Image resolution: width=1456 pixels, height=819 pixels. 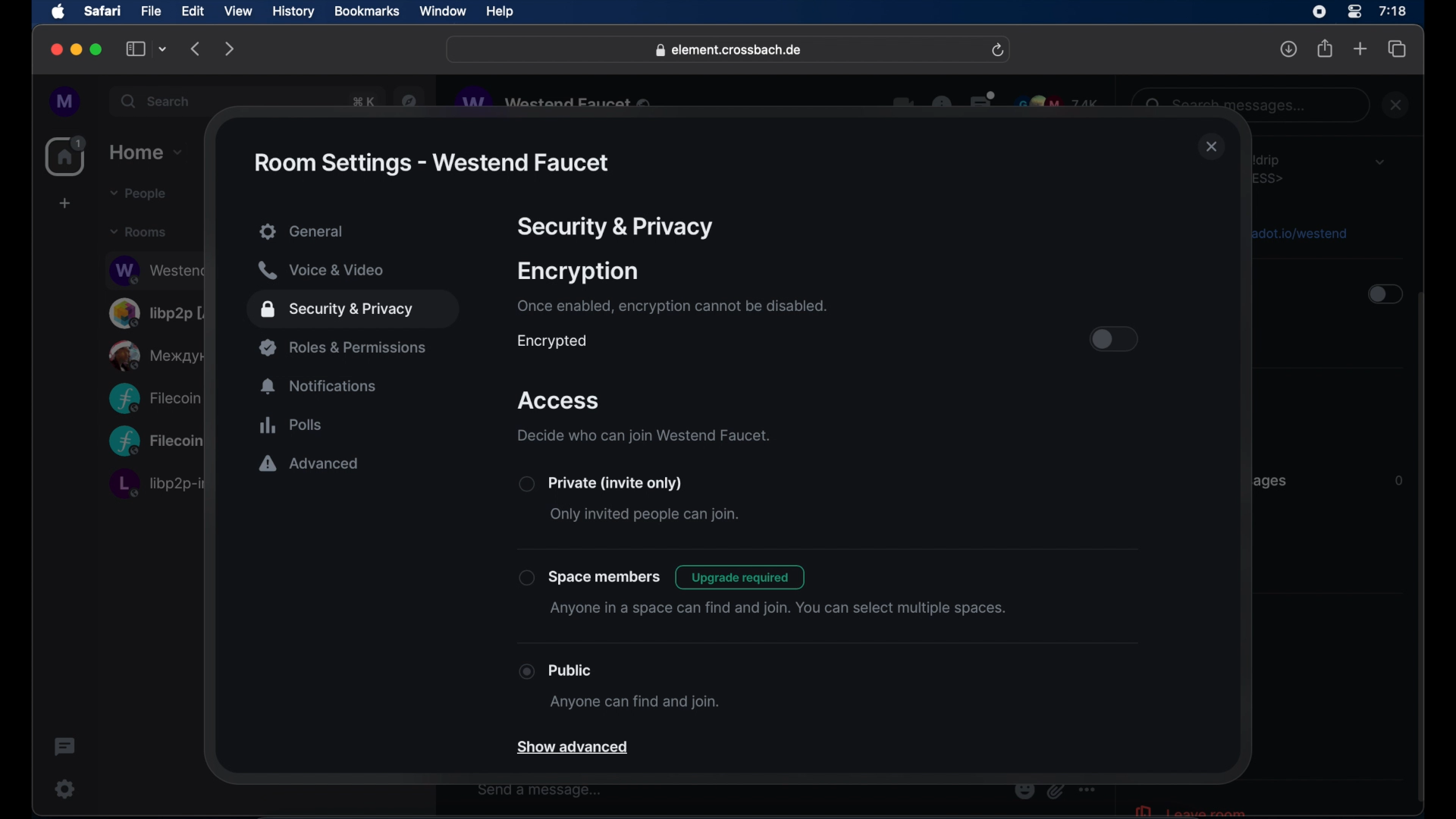 I want to click on downloads, so click(x=1289, y=49).